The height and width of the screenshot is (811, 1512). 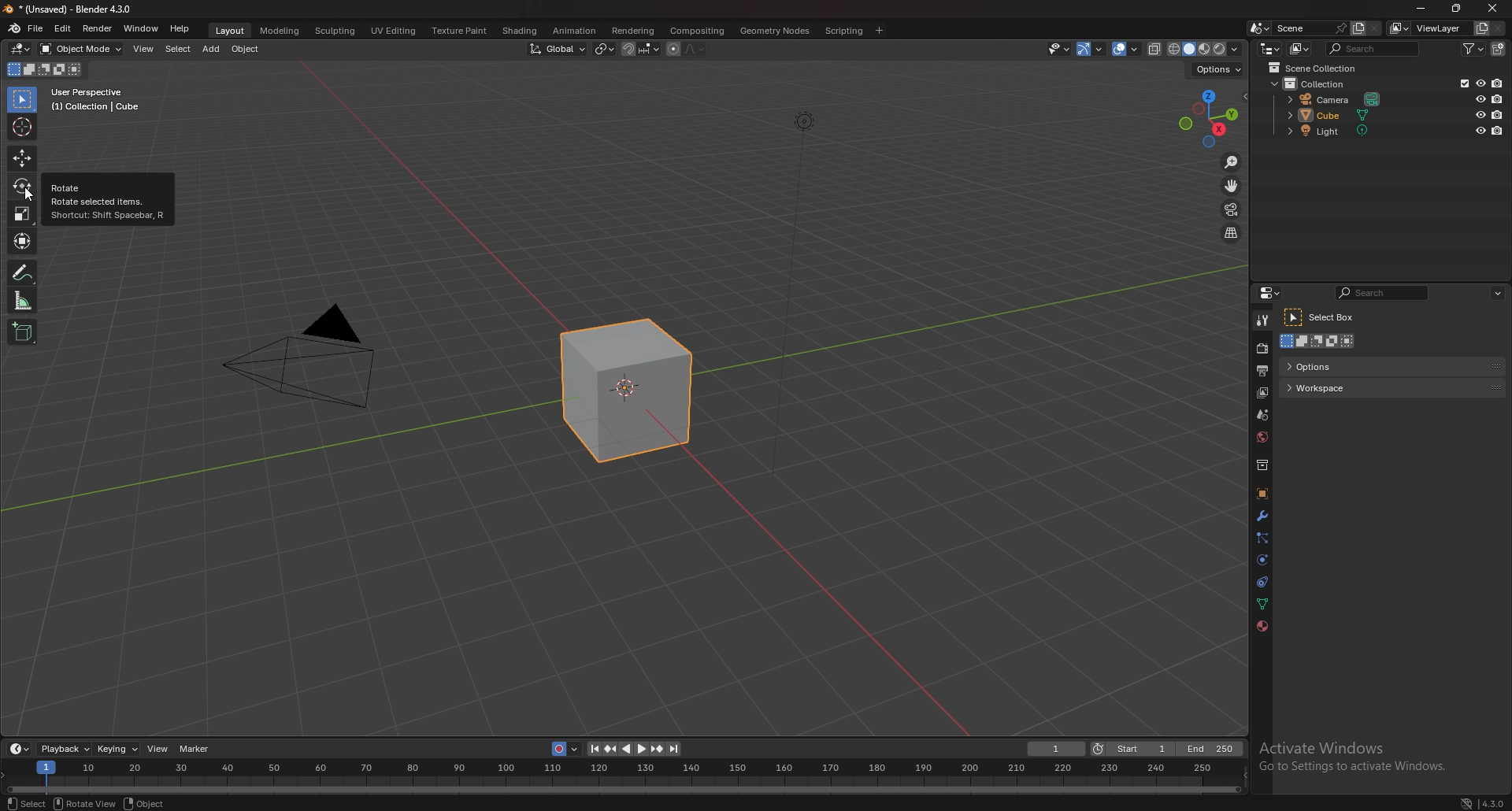 What do you see at coordinates (1212, 750) in the screenshot?
I see `end` at bounding box center [1212, 750].